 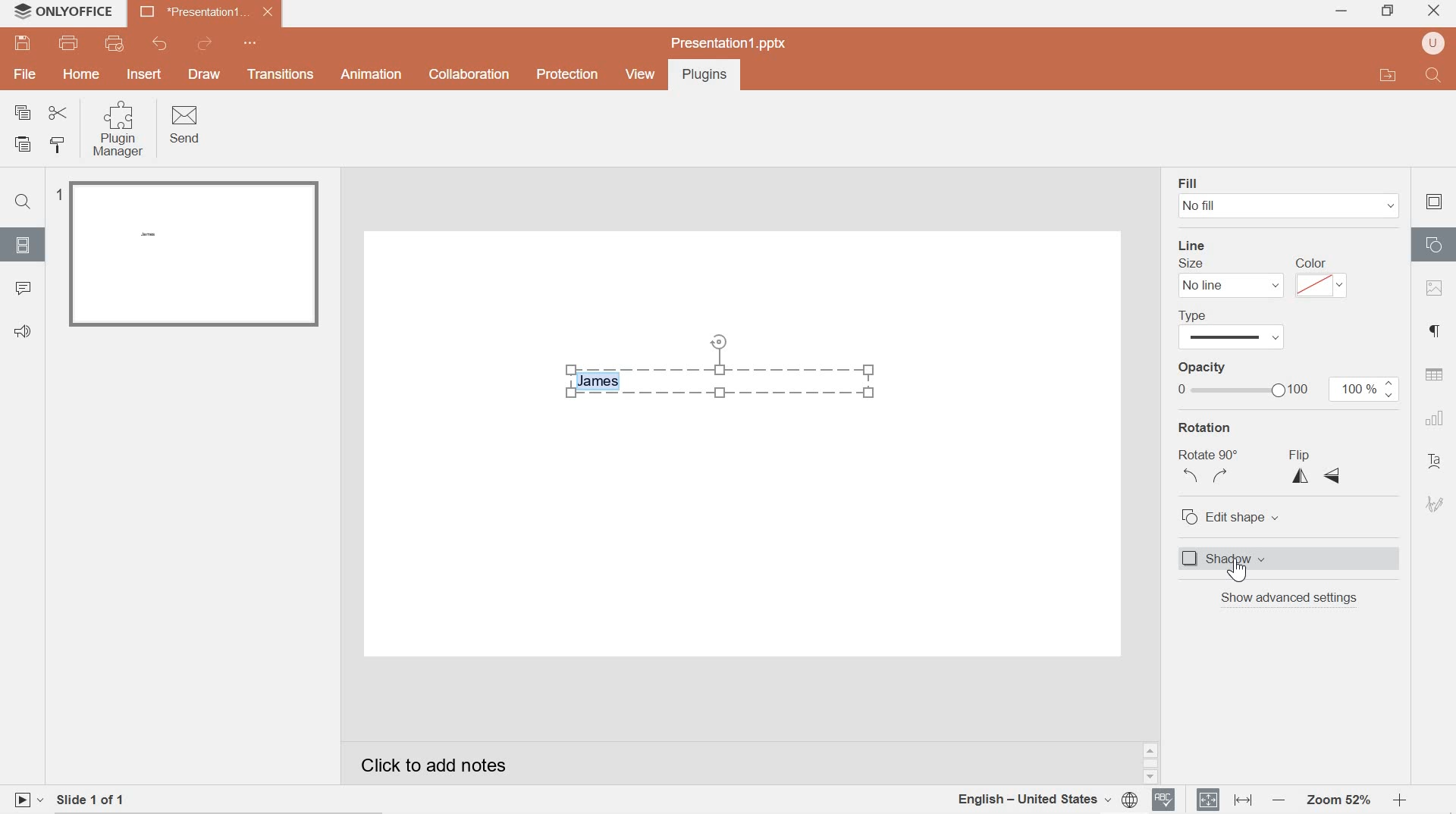 I want to click on minimize, so click(x=1341, y=12).